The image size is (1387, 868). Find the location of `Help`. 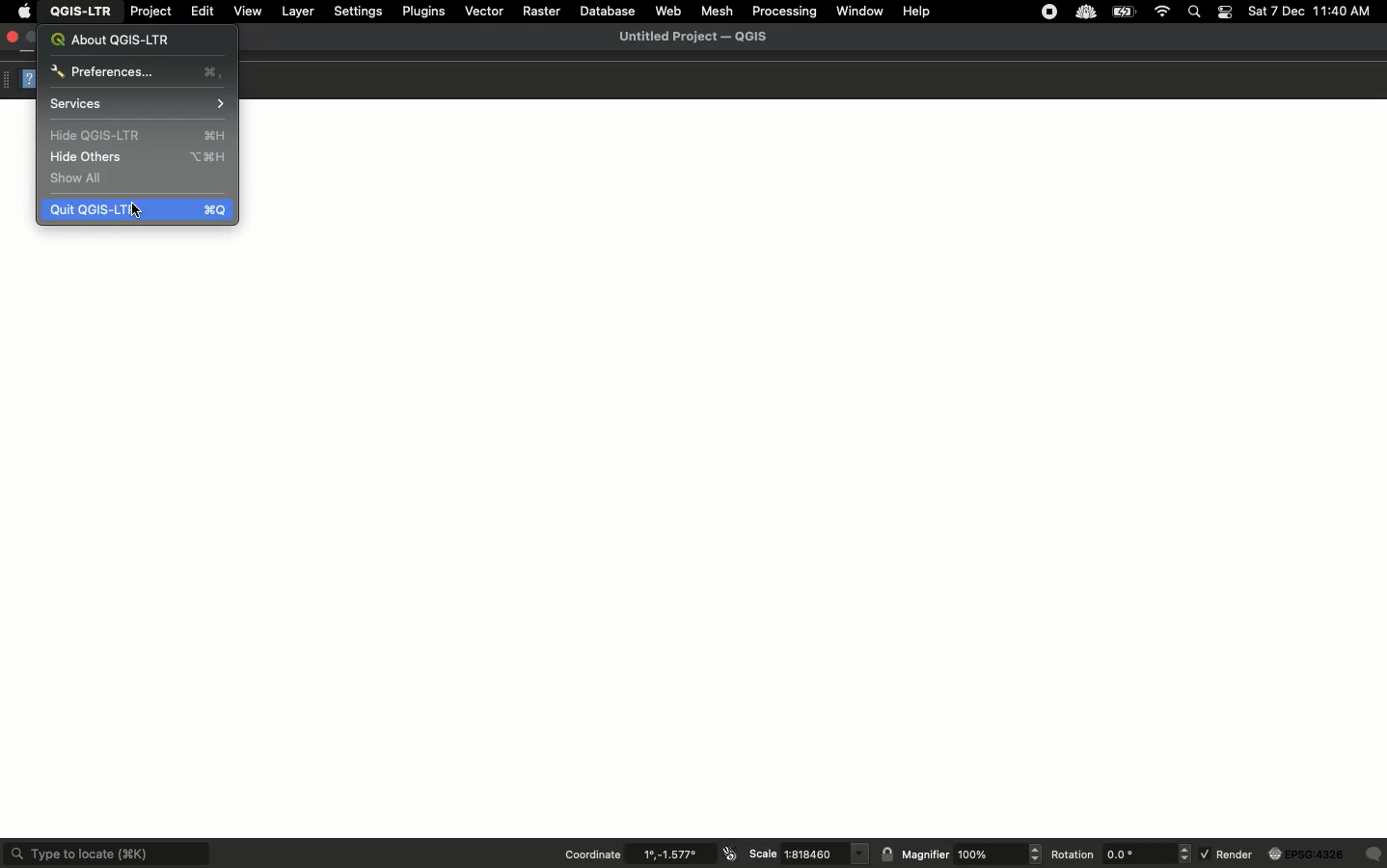

Help is located at coordinates (30, 79).